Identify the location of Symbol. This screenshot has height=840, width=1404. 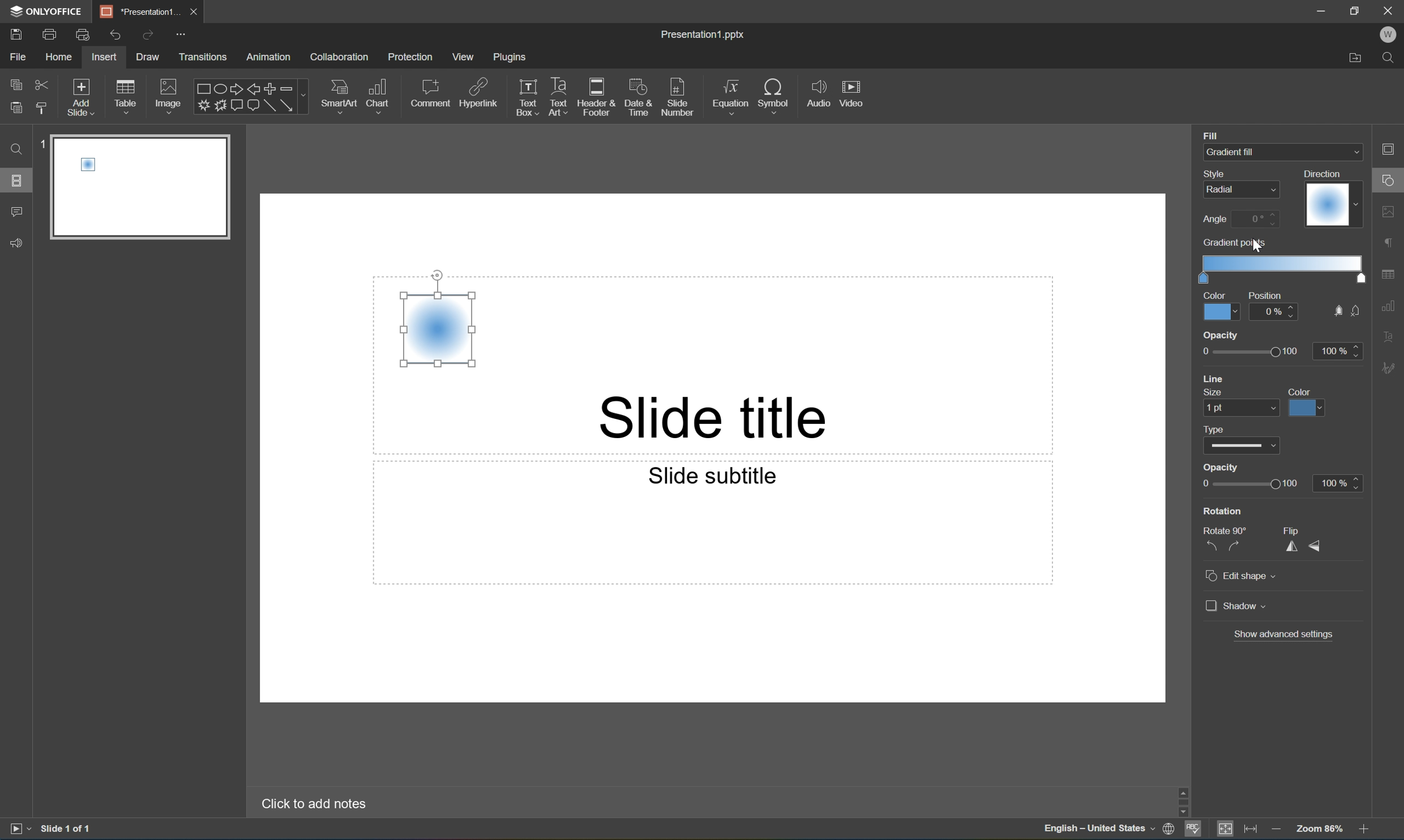
(774, 94).